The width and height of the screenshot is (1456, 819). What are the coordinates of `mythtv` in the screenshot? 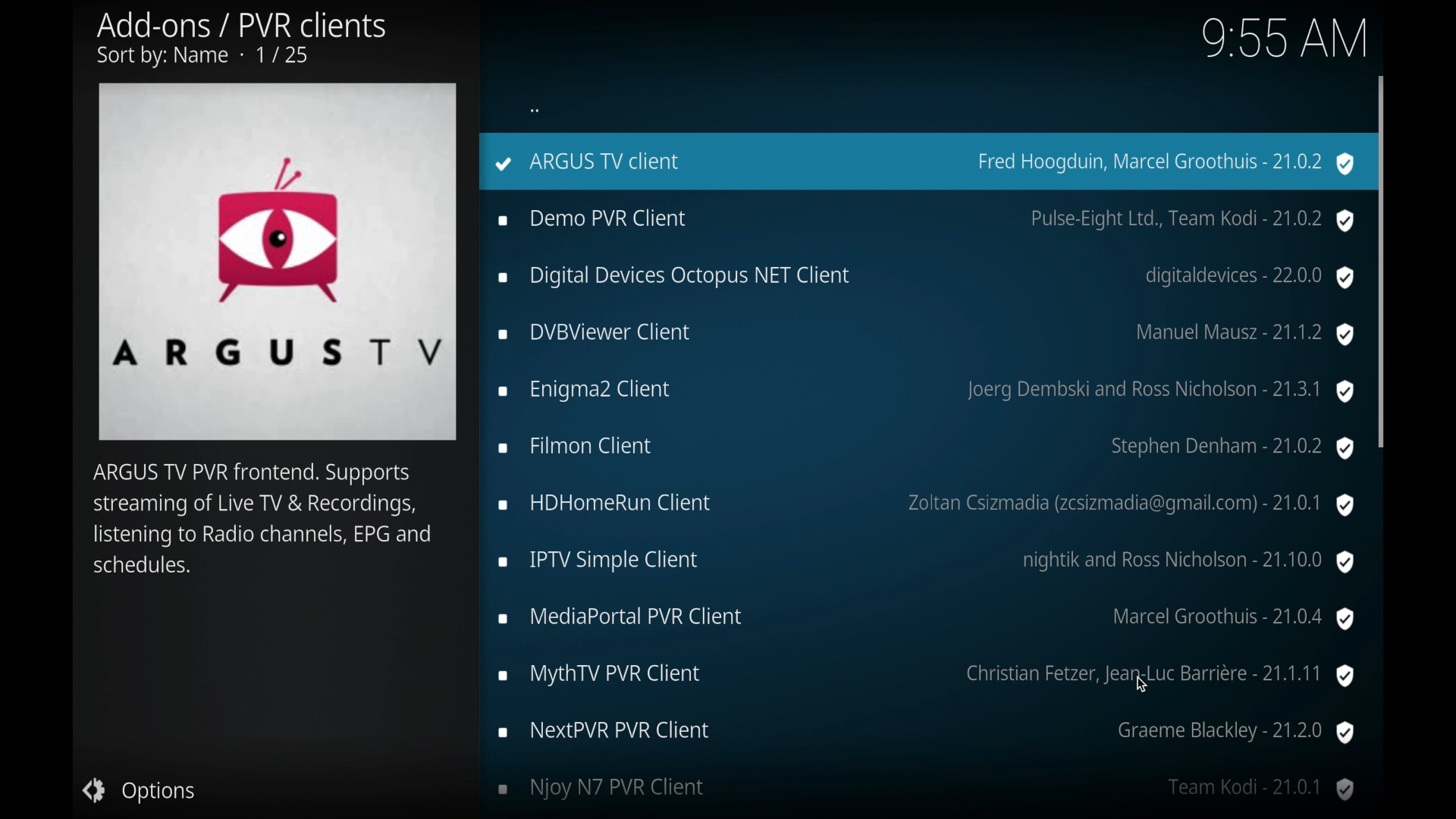 It's located at (927, 676).